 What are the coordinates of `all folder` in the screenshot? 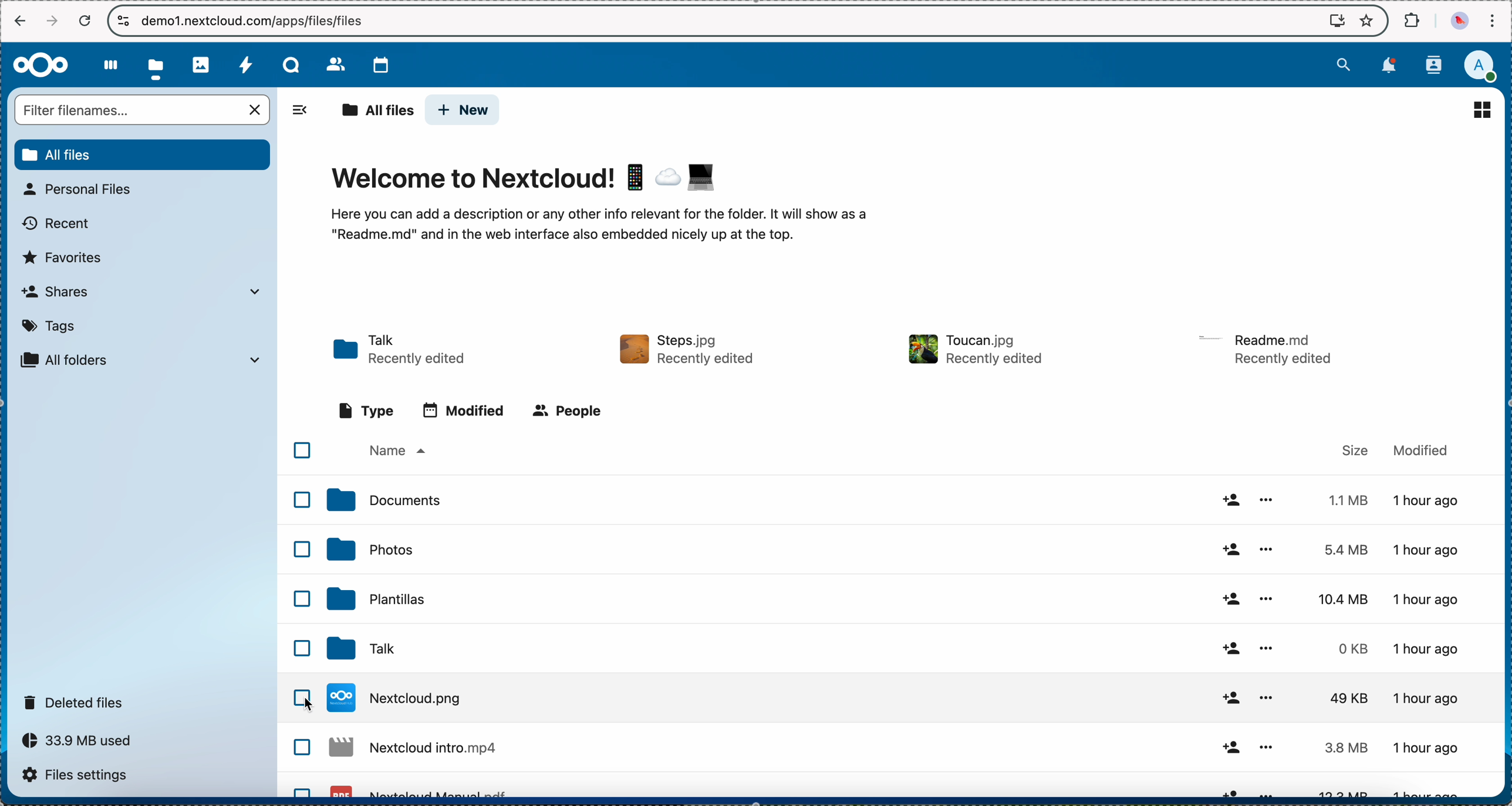 It's located at (146, 359).